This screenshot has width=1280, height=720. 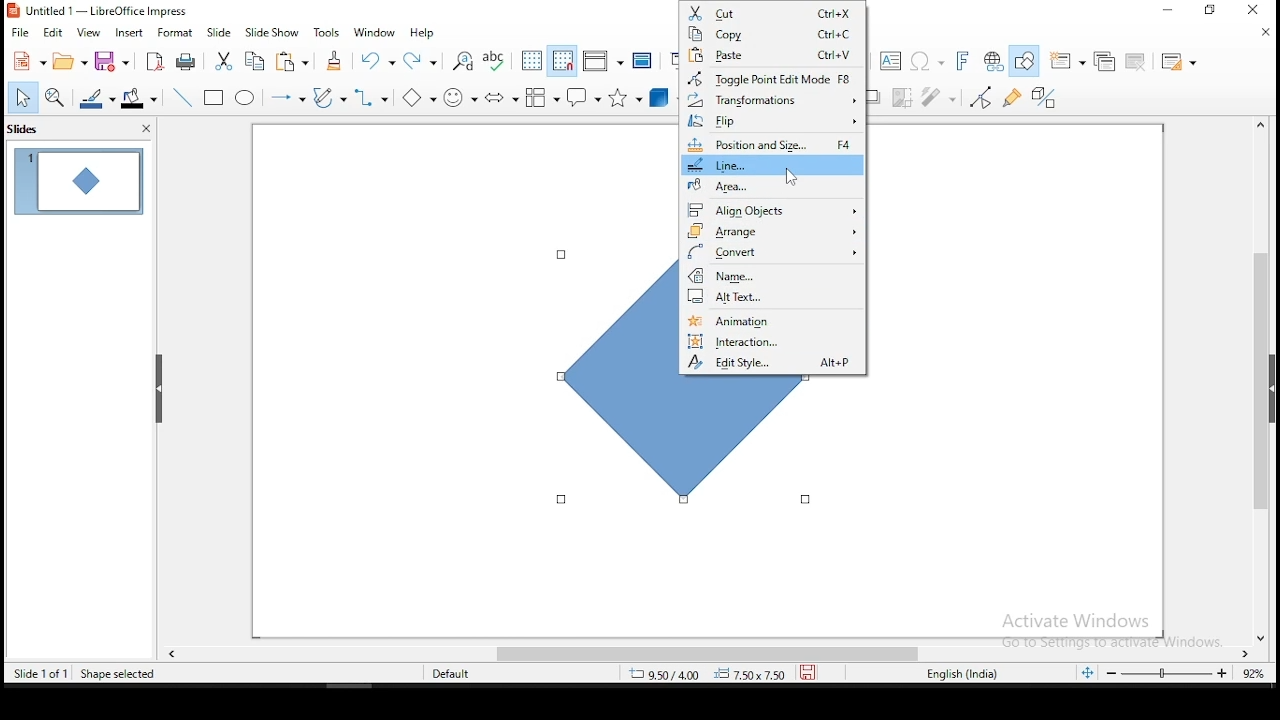 I want to click on master slide, so click(x=642, y=61).